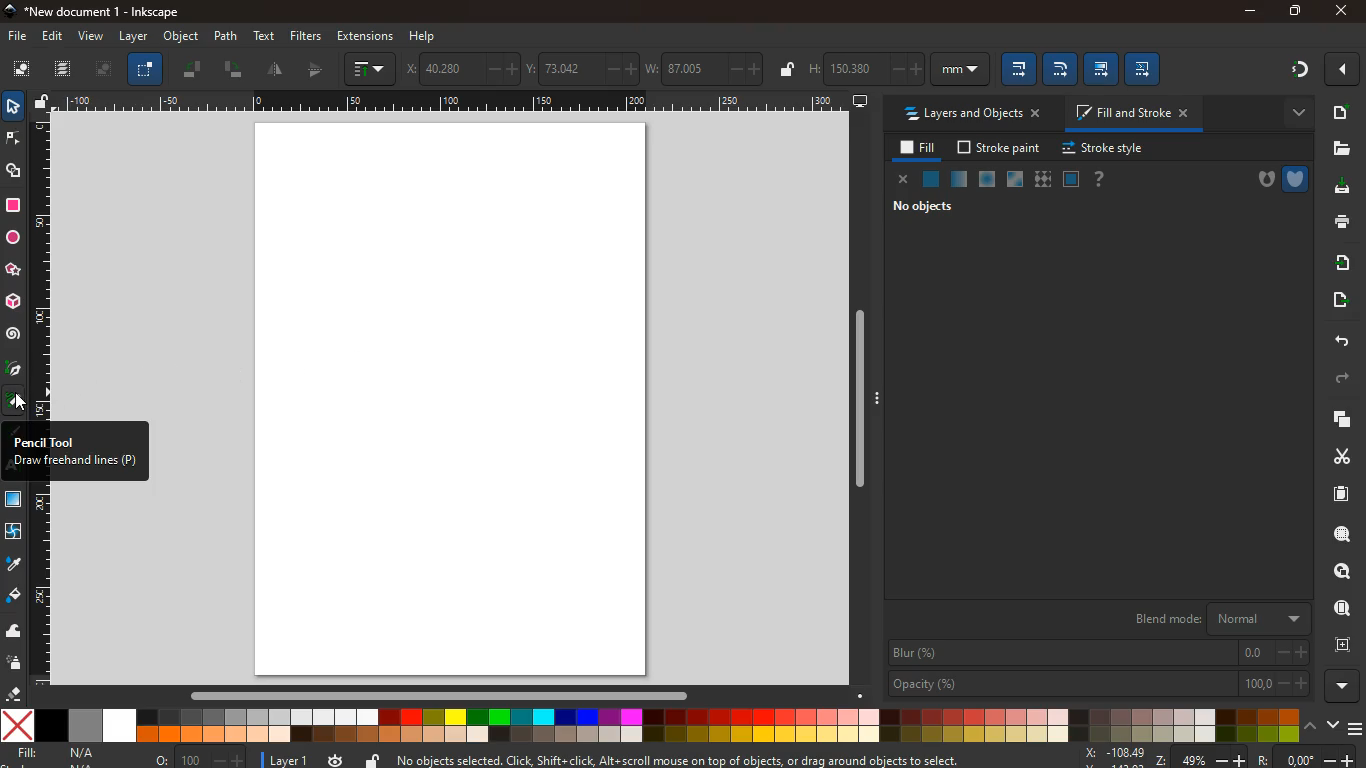 The width and height of the screenshot is (1366, 768). What do you see at coordinates (15, 170) in the screenshot?
I see `shape` at bounding box center [15, 170].